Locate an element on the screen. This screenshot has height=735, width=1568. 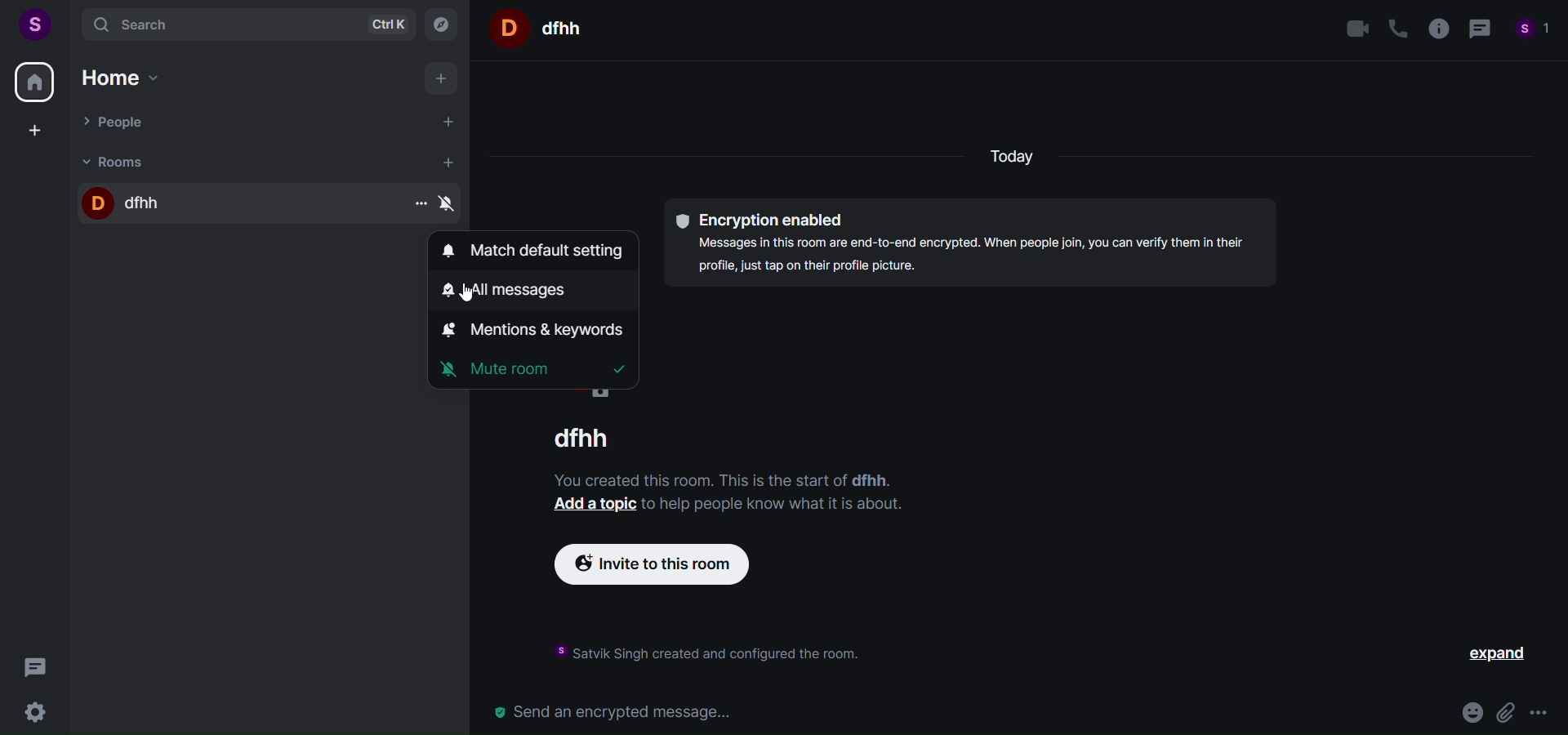
cursor is located at coordinates (471, 296).